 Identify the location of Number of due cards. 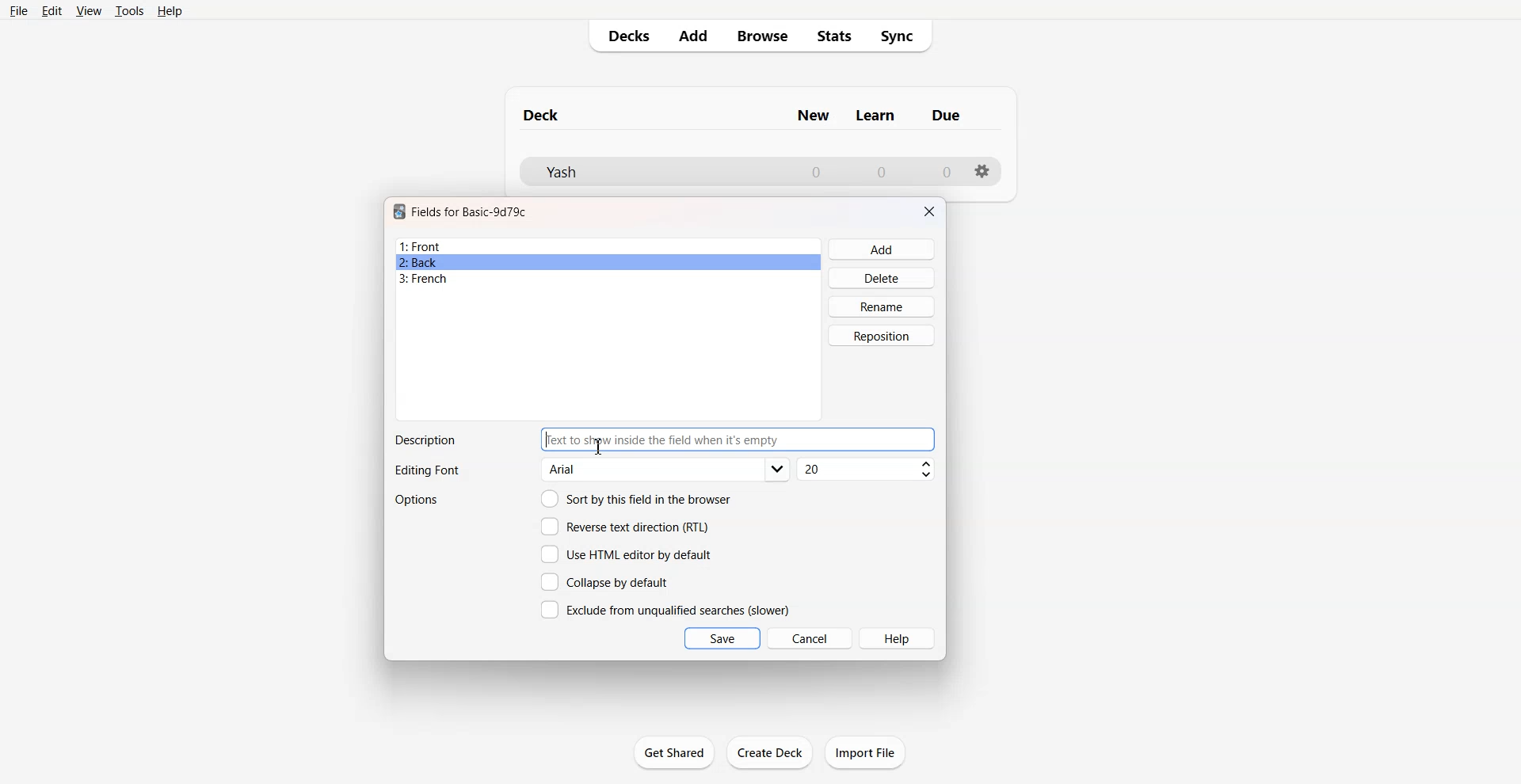
(947, 172).